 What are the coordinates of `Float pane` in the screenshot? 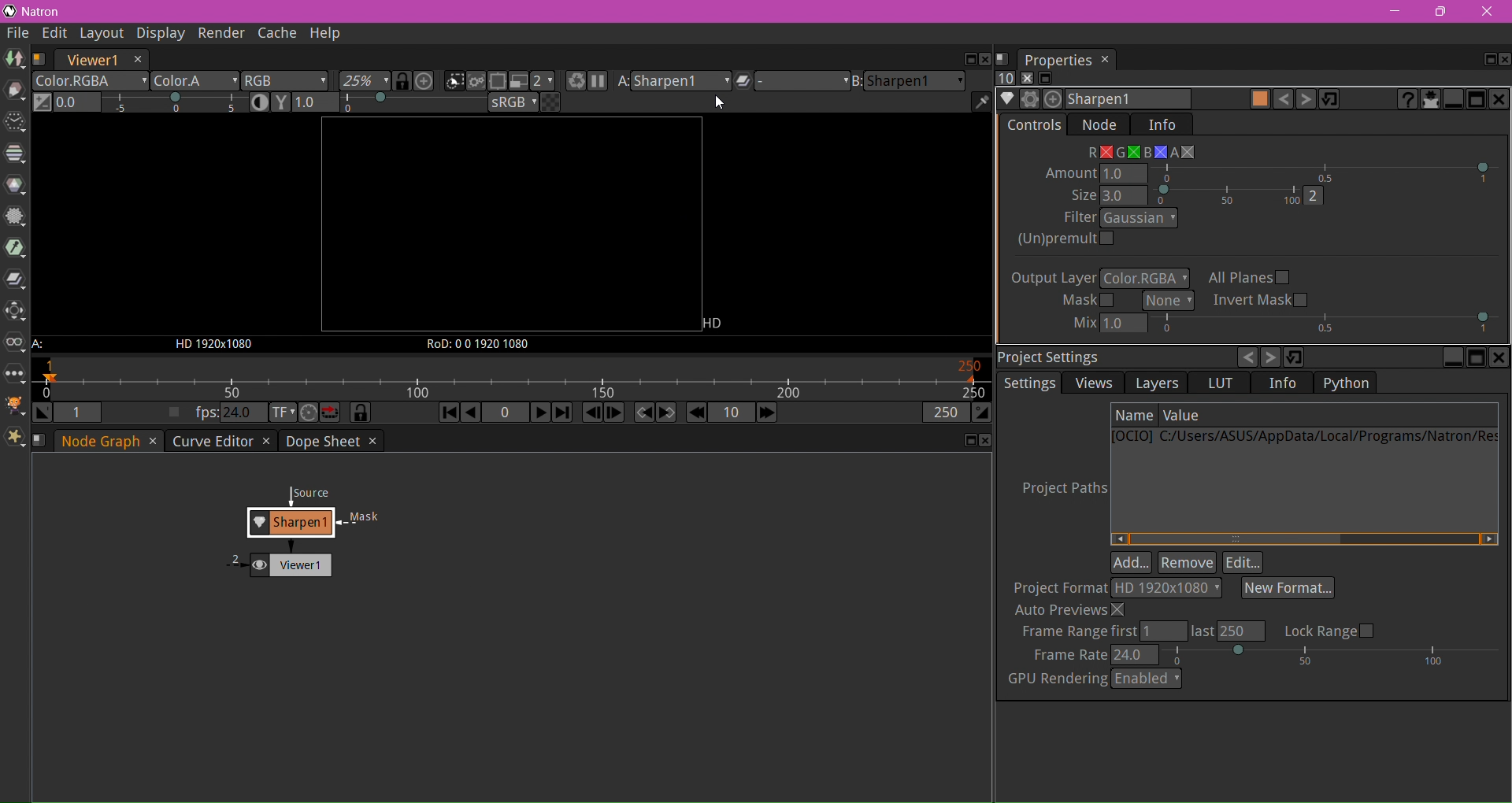 It's located at (967, 60).